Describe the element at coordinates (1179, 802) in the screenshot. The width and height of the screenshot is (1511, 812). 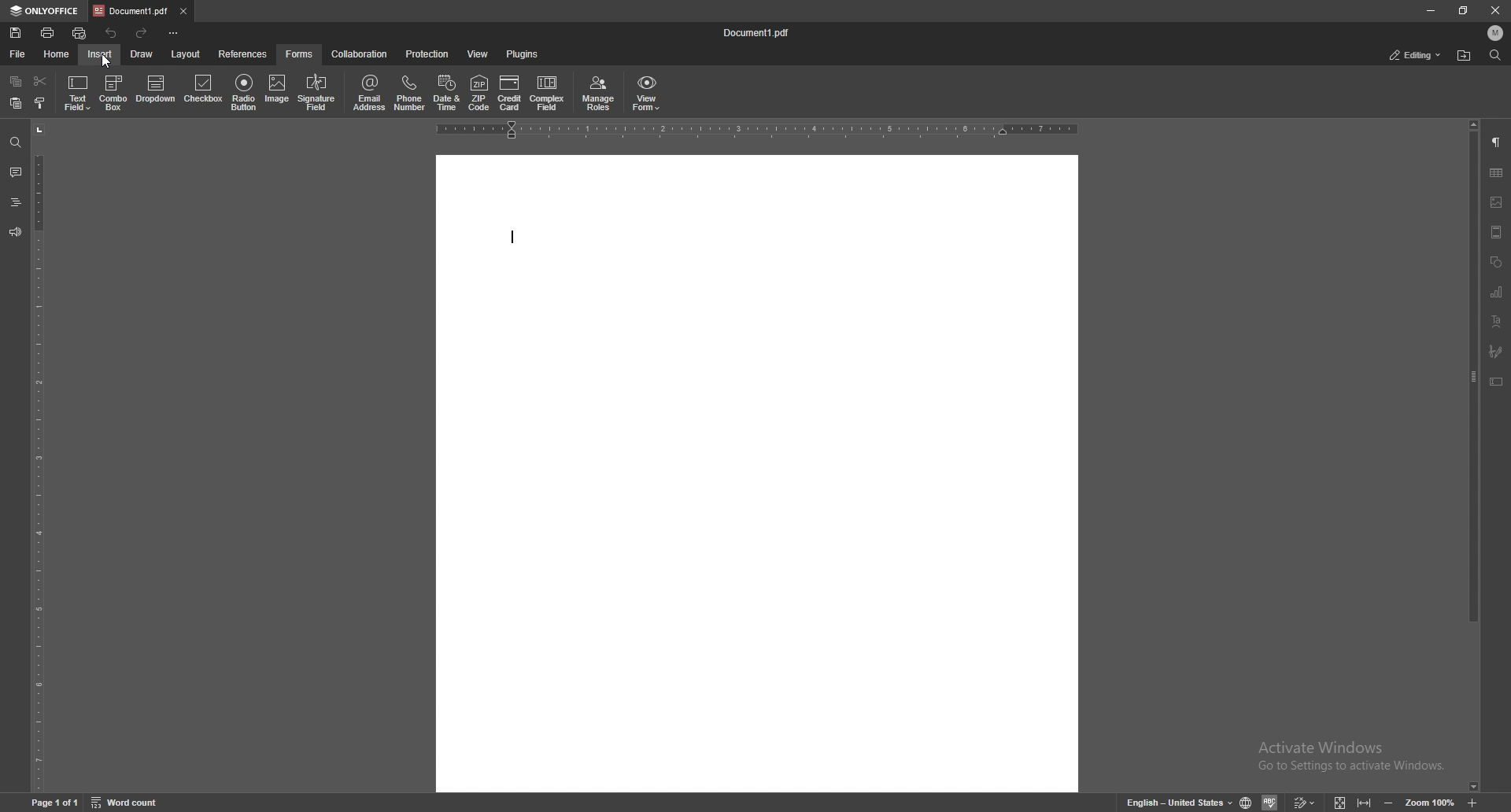
I see `change text language` at that location.